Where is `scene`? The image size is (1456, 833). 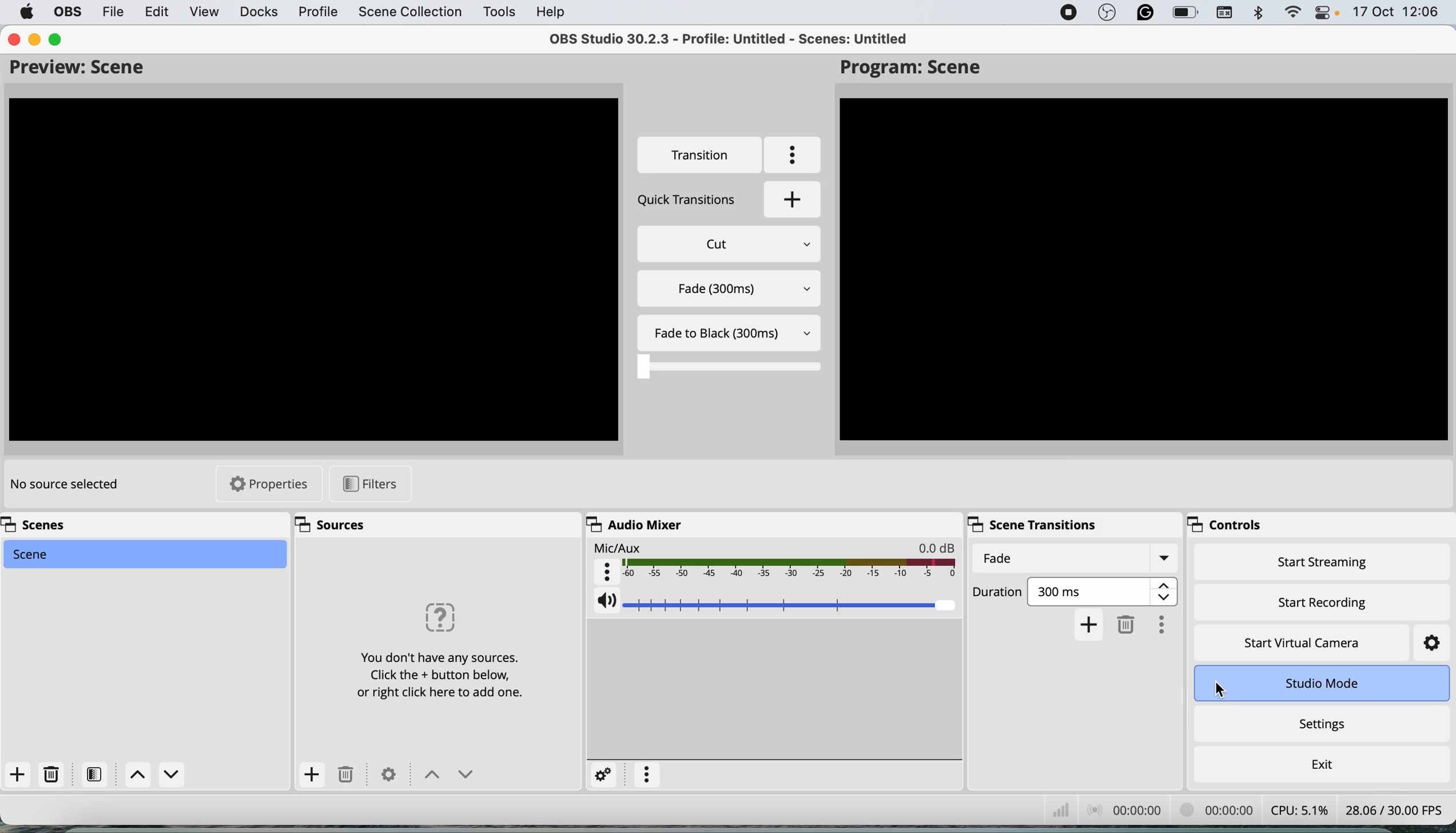
scene is located at coordinates (142, 554).